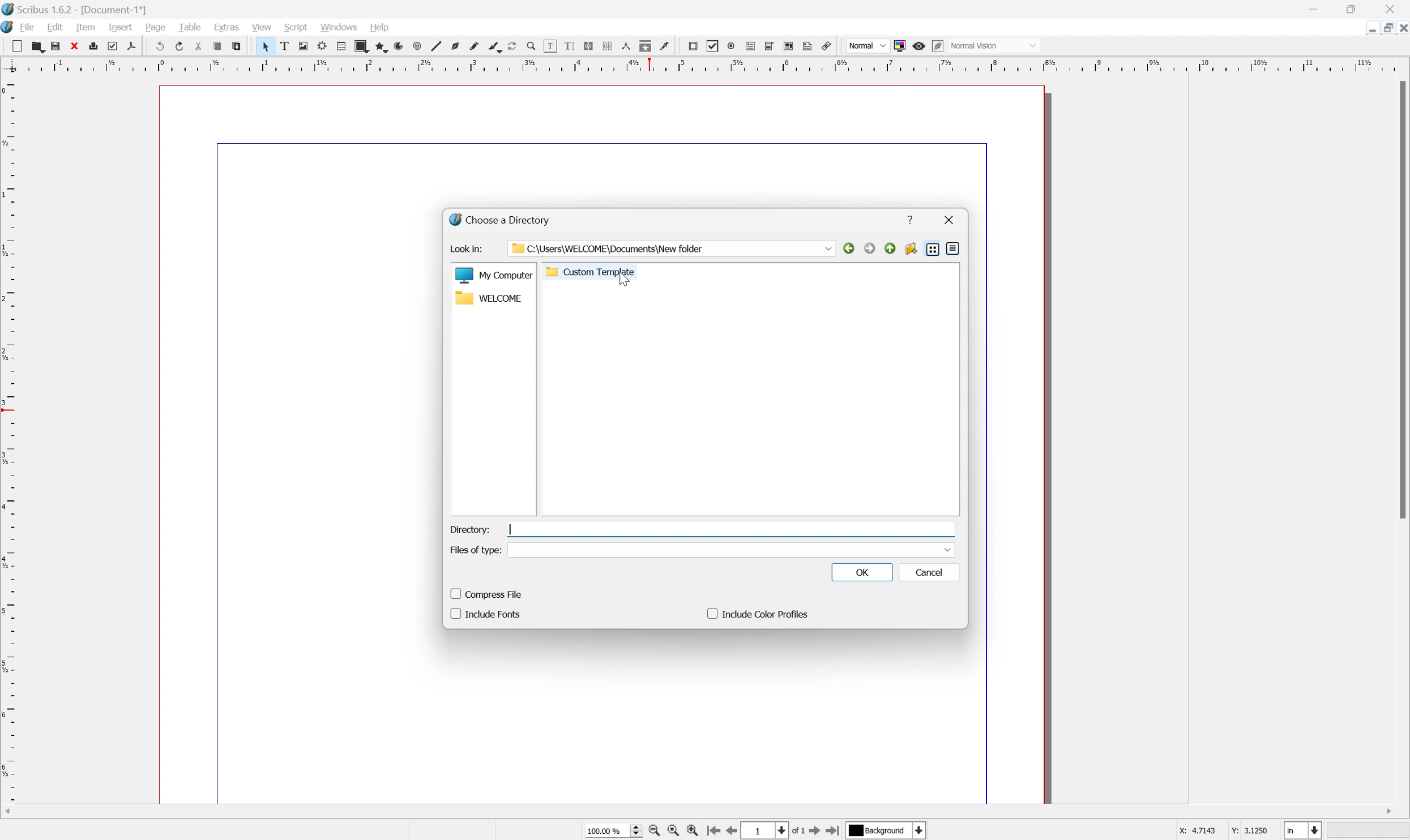 This screenshot has width=1410, height=840. I want to click on bezier curve, so click(456, 45).